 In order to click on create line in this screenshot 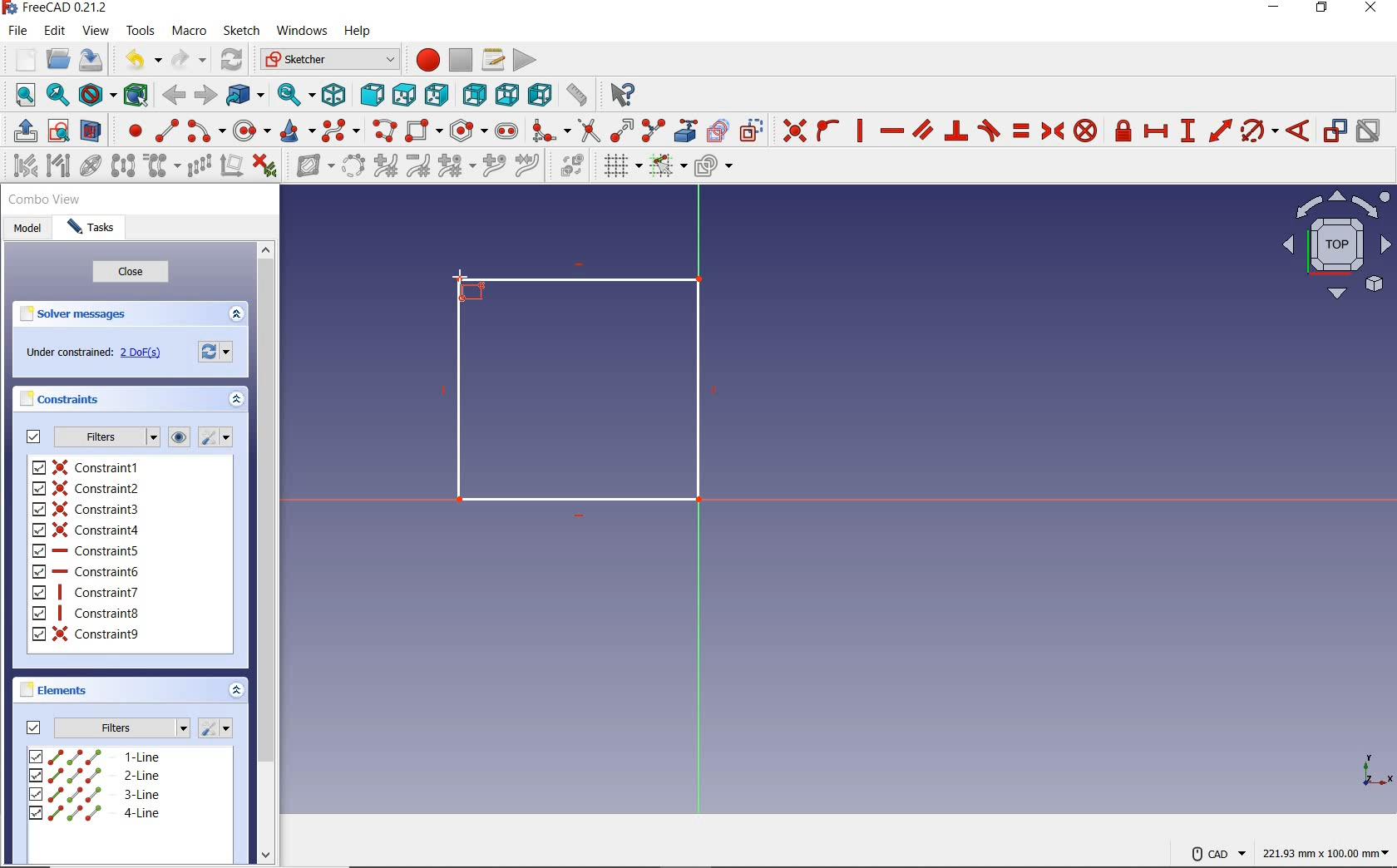, I will do `click(164, 130)`.